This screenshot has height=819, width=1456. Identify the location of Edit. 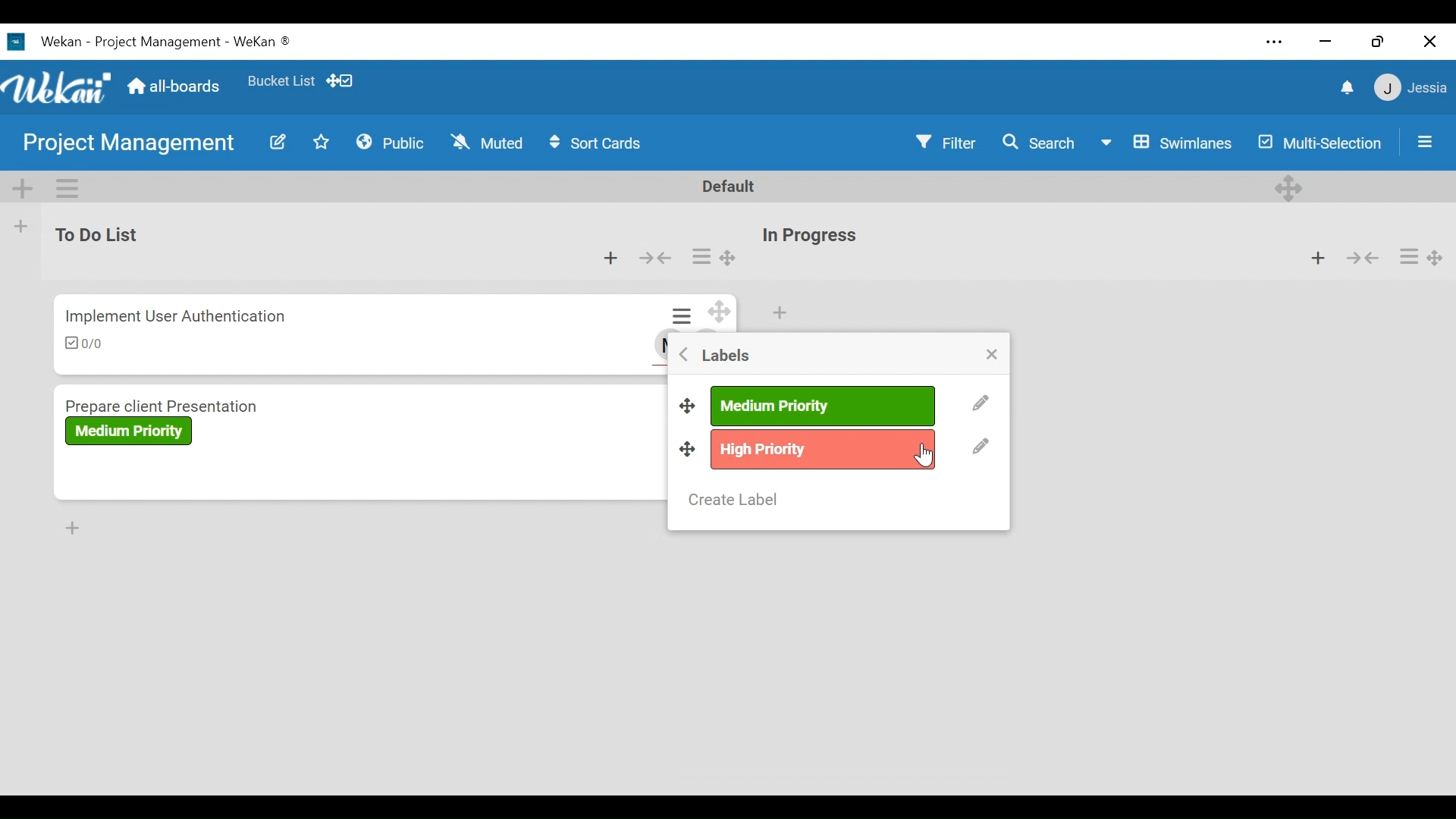
(277, 142).